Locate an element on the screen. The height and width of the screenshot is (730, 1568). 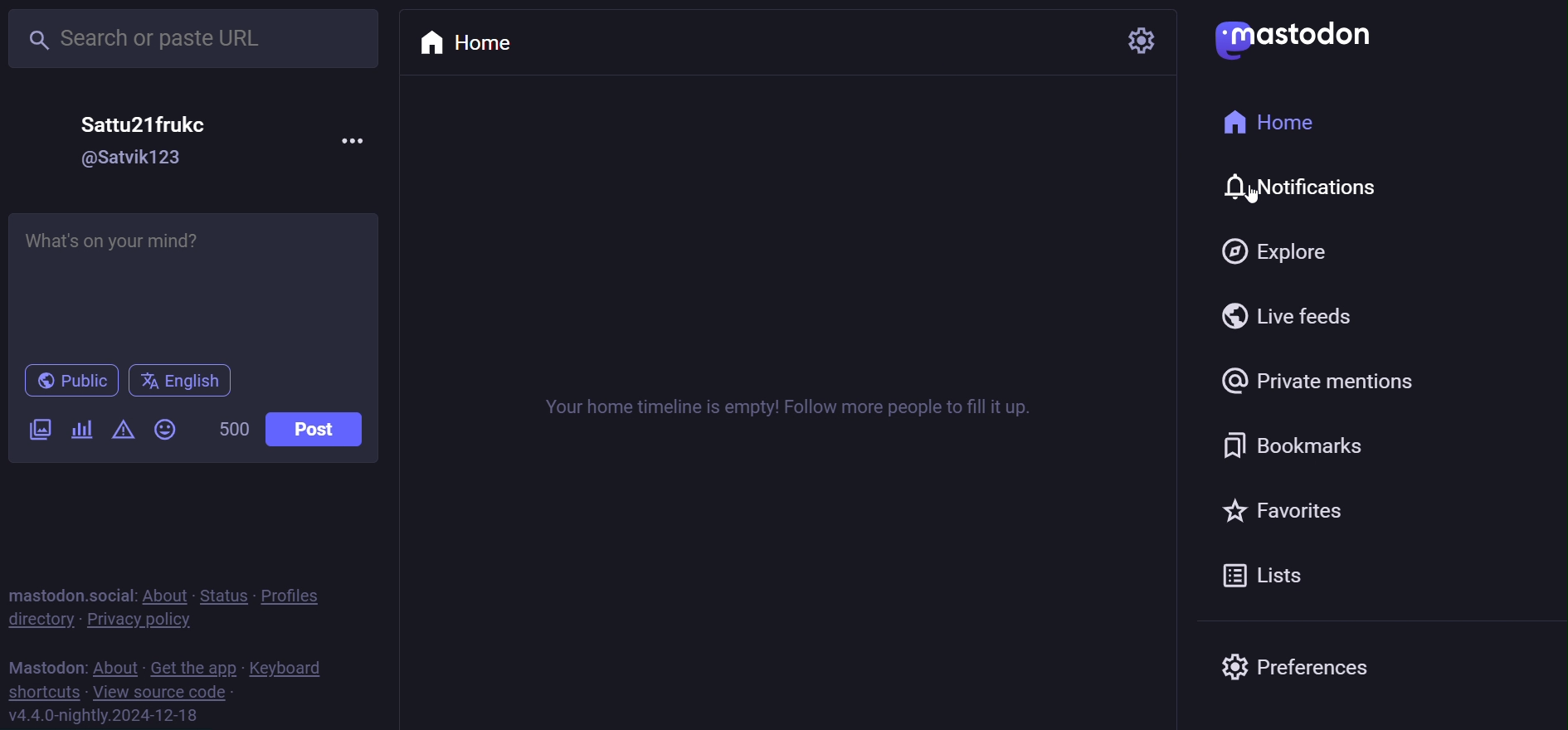
home is located at coordinates (460, 47).